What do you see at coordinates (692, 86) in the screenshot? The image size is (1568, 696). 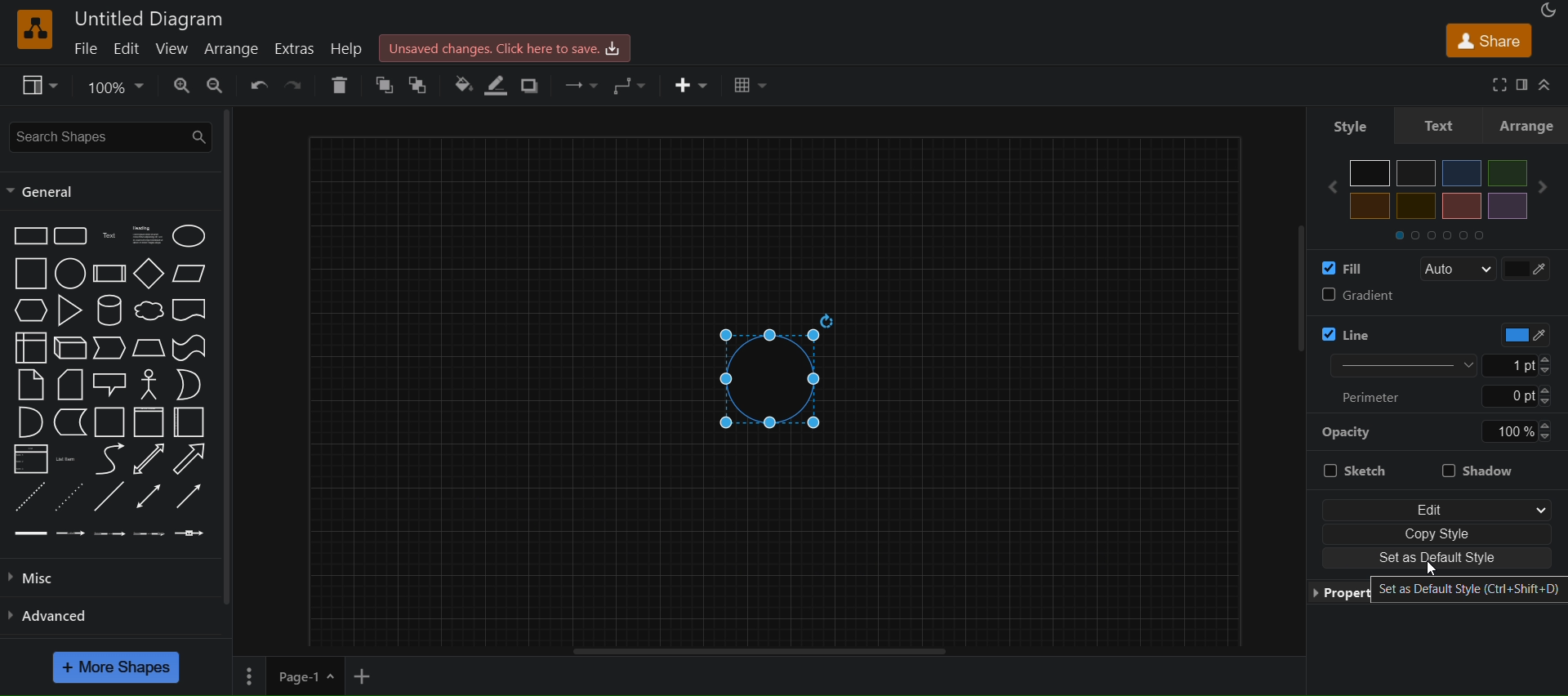 I see `insert` at bounding box center [692, 86].